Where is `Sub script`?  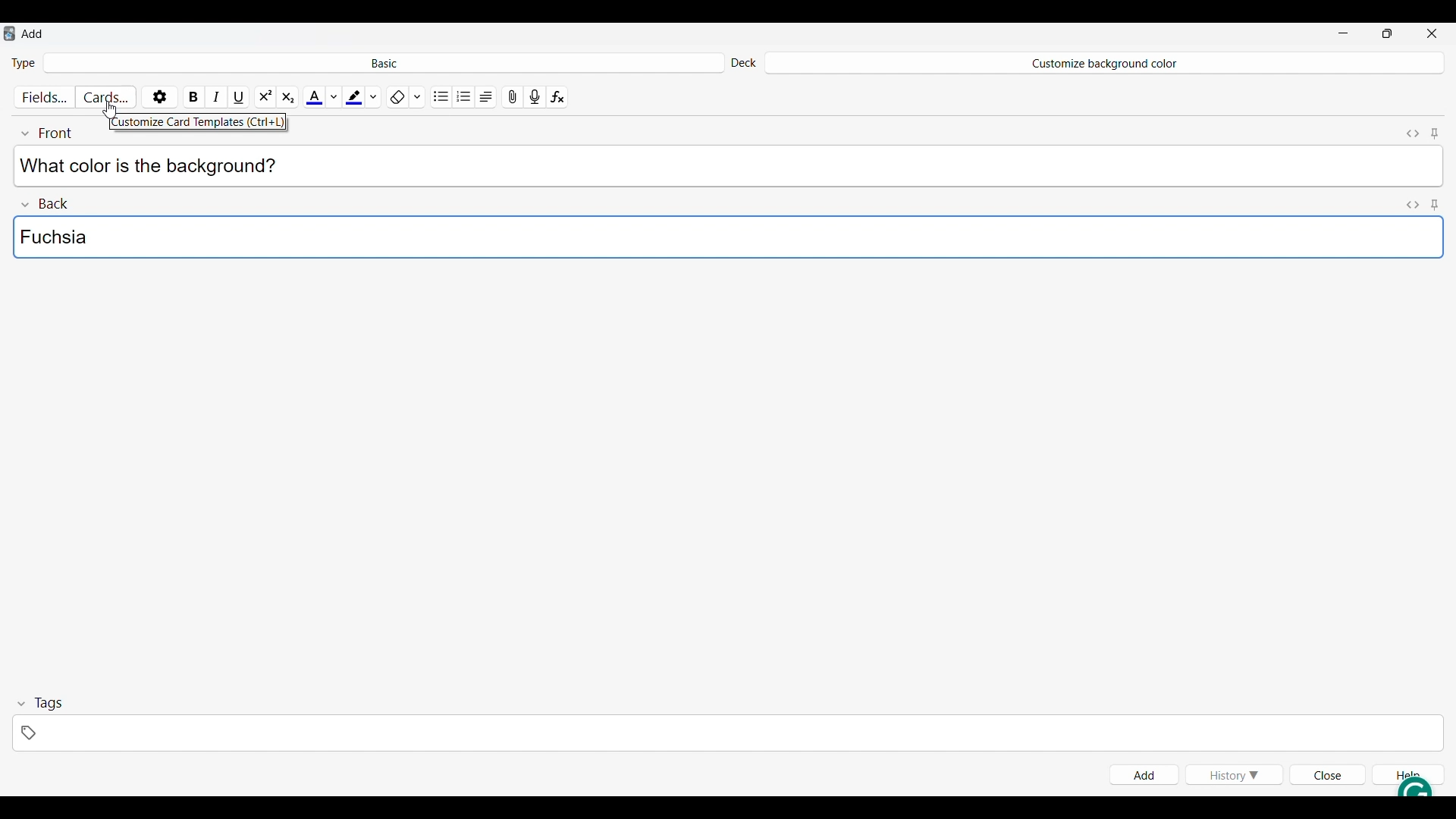 Sub script is located at coordinates (287, 95).